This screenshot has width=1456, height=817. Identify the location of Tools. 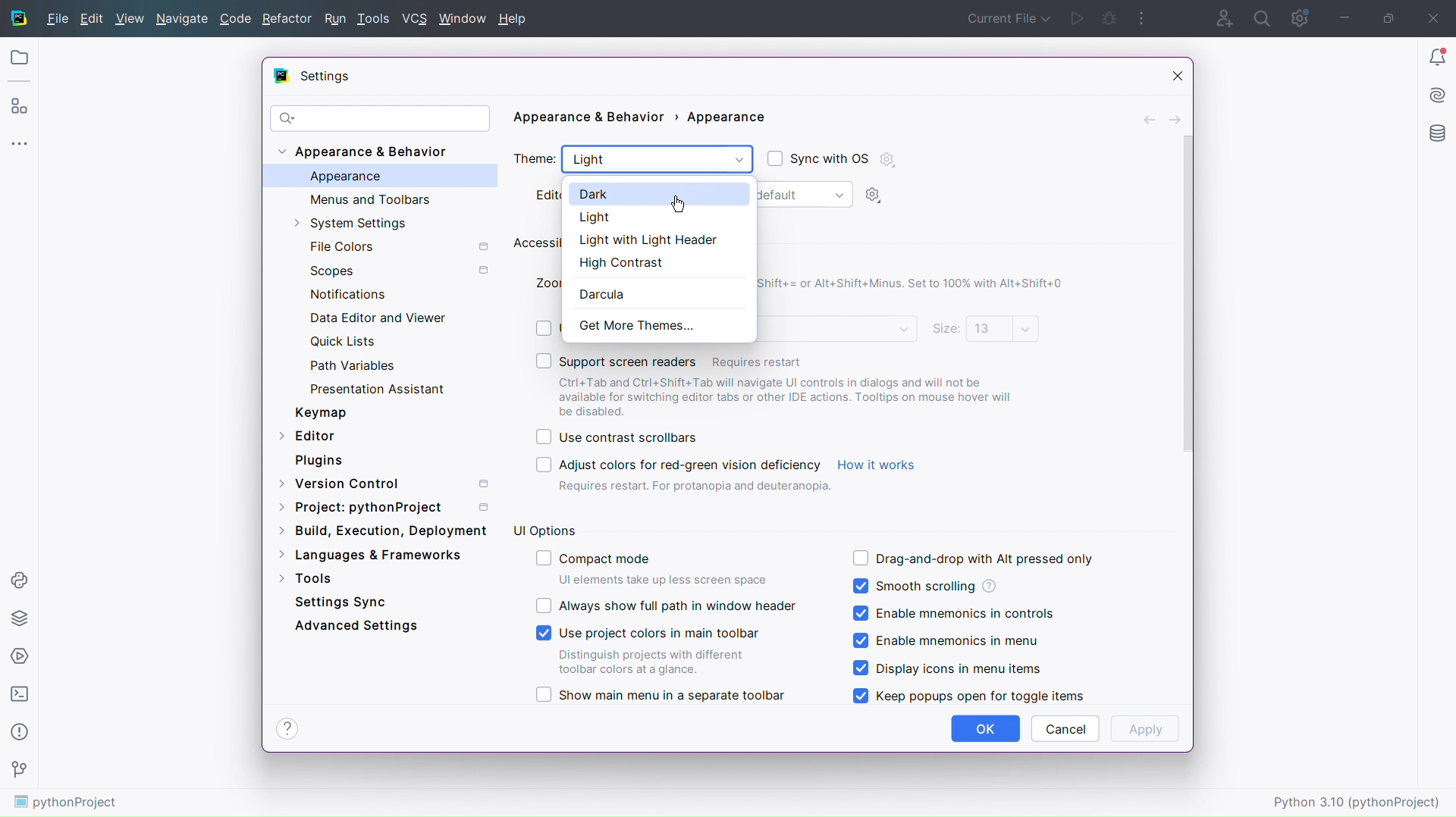
(306, 576).